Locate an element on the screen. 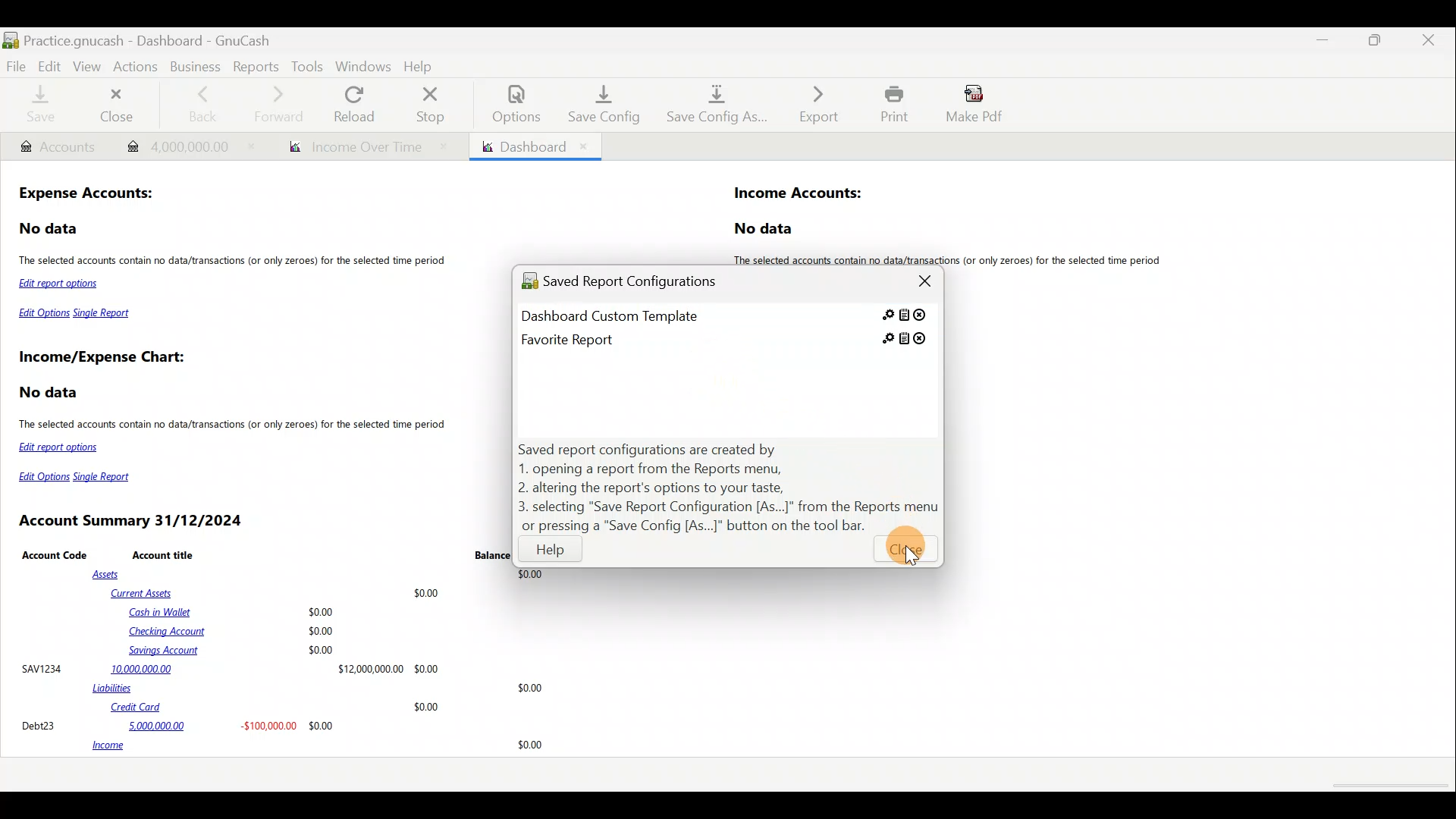 This screenshot has height=819, width=1456. View is located at coordinates (89, 67).